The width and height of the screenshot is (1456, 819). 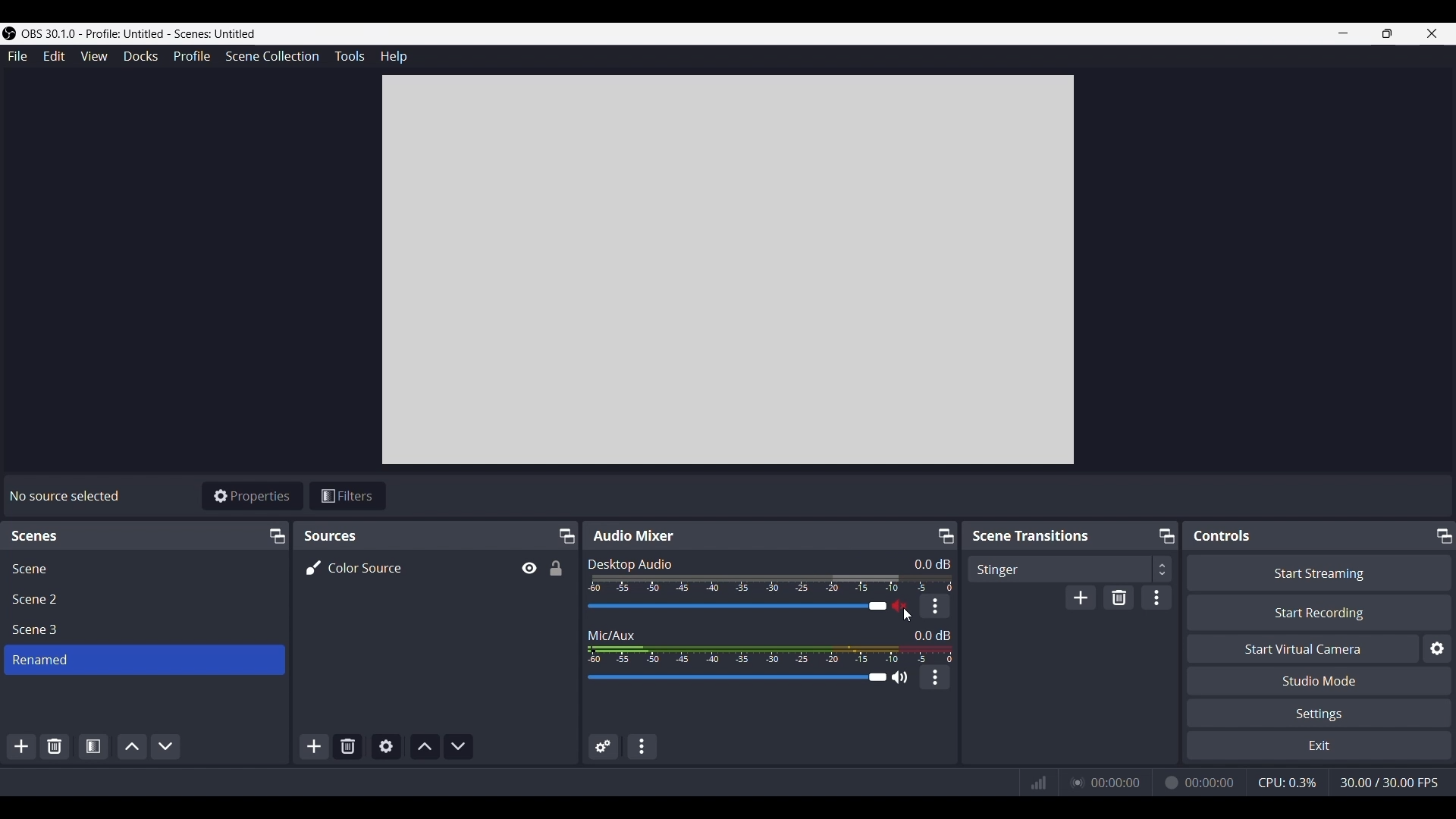 I want to click on Current source, so click(x=355, y=567).